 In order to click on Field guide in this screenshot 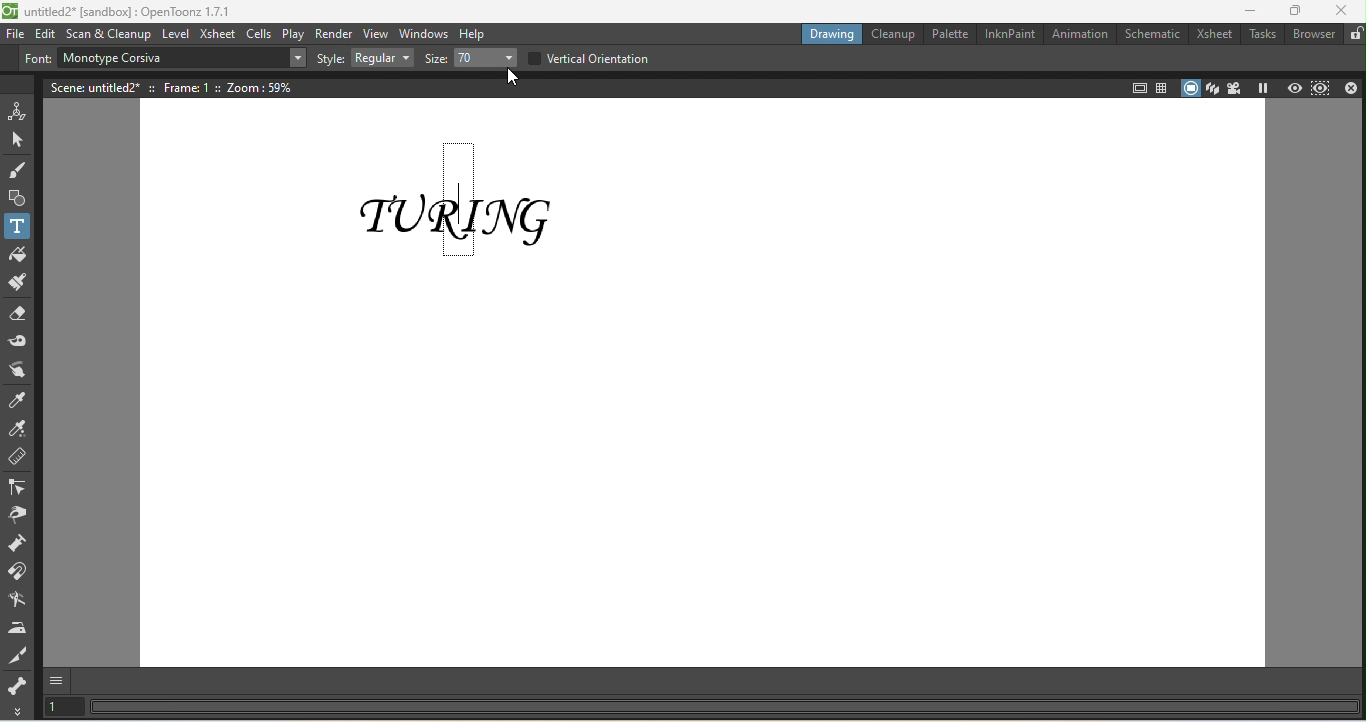, I will do `click(1137, 86)`.